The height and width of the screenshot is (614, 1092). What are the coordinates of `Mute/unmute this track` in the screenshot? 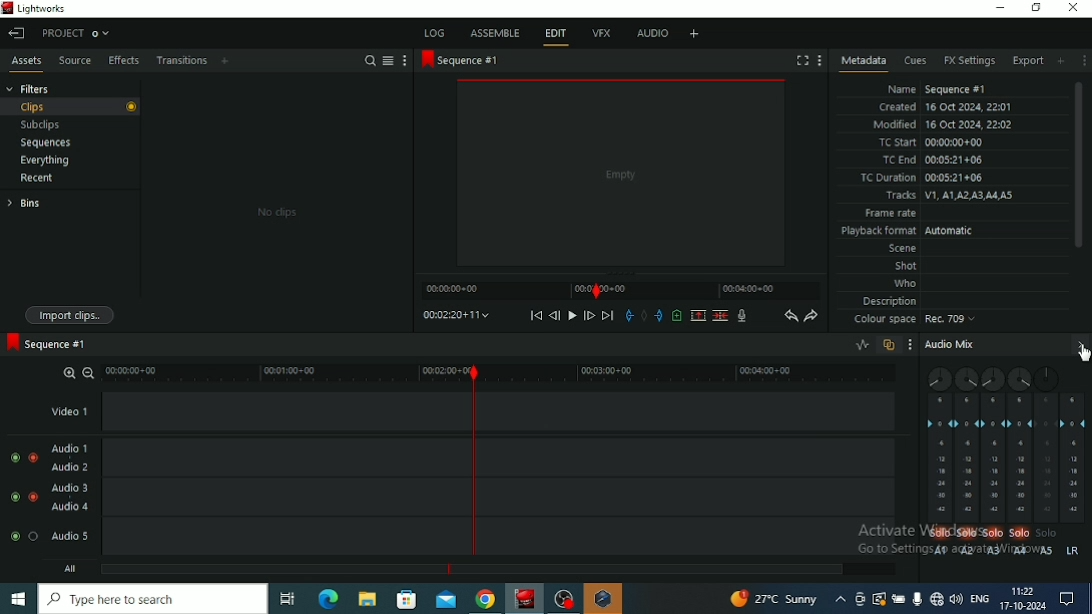 It's located at (12, 536).